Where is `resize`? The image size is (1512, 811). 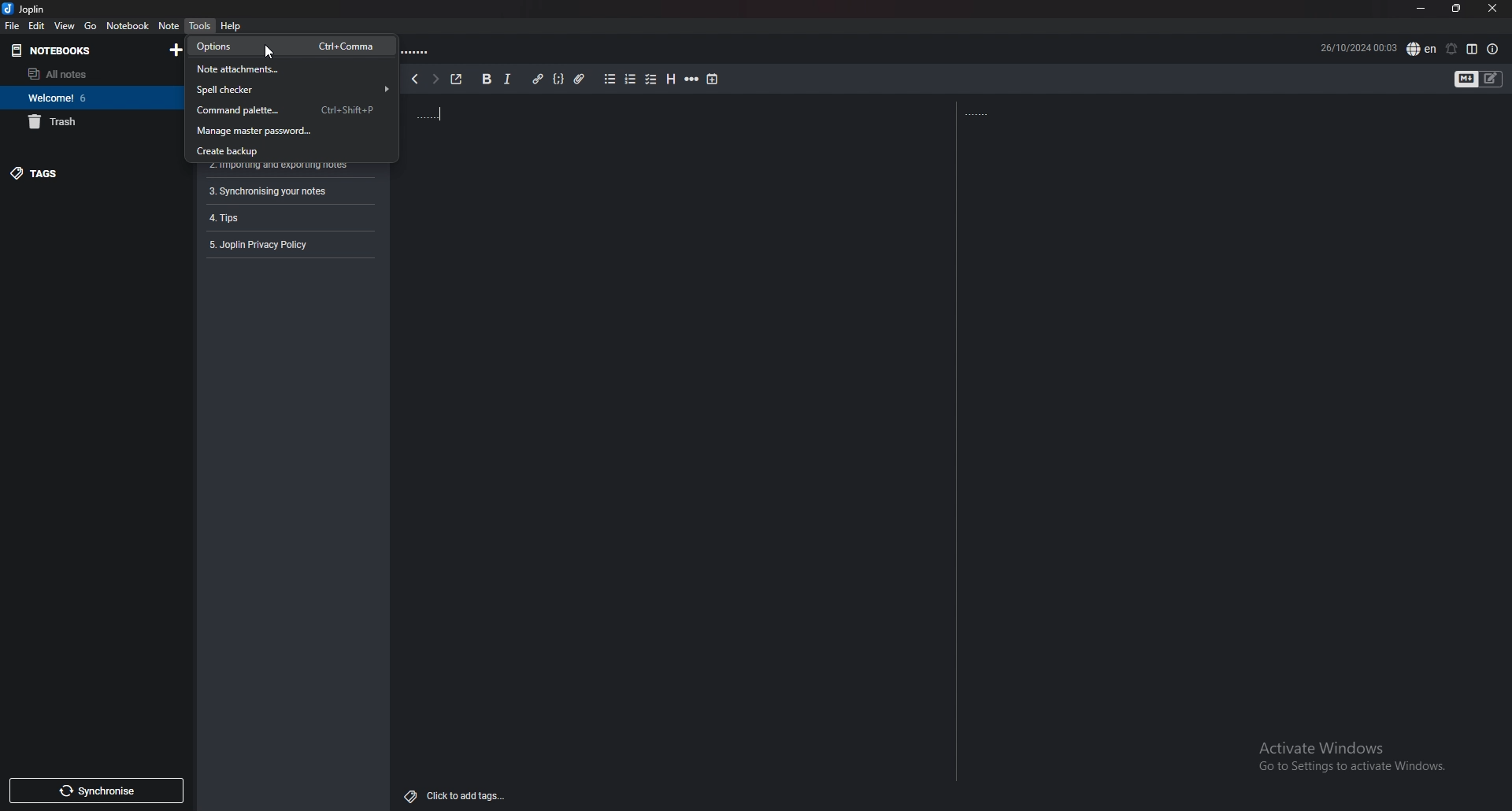
resize is located at coordinates (1455, 9).